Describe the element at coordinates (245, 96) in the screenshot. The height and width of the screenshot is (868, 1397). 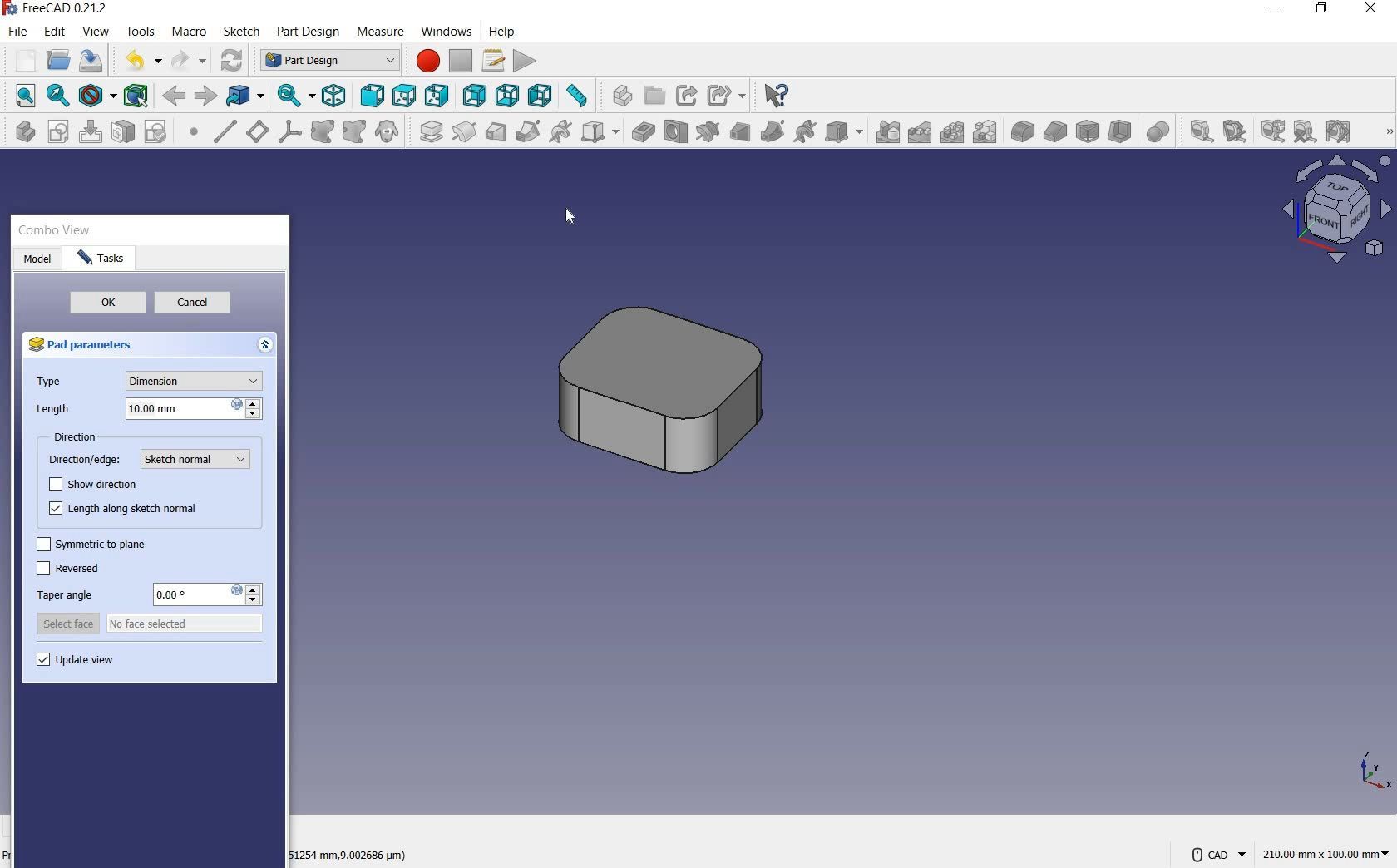
I see `go to linked object` at that location.